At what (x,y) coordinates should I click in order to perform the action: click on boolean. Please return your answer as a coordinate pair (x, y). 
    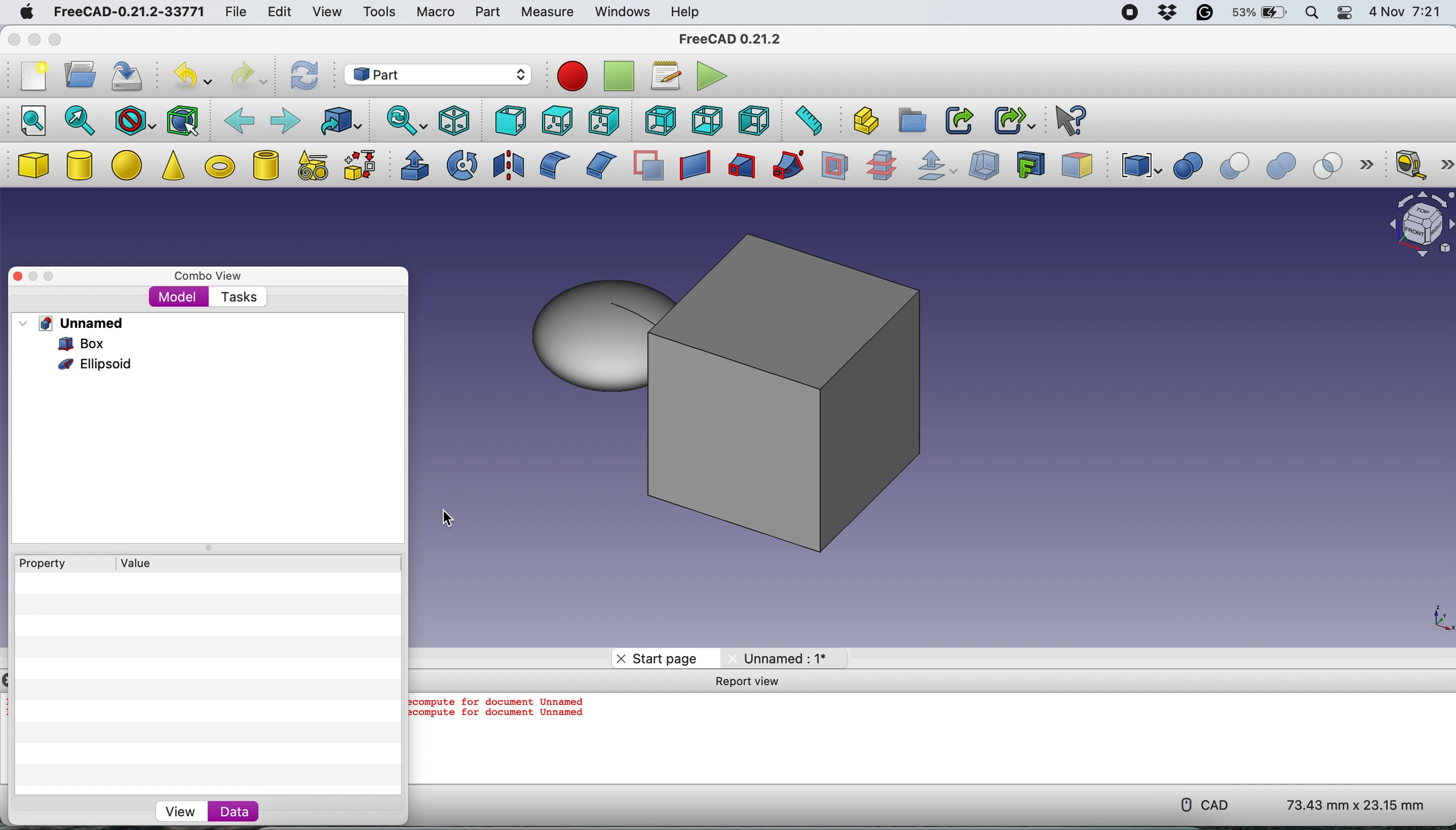
    Looking at the image, I should click on (1188, 166).